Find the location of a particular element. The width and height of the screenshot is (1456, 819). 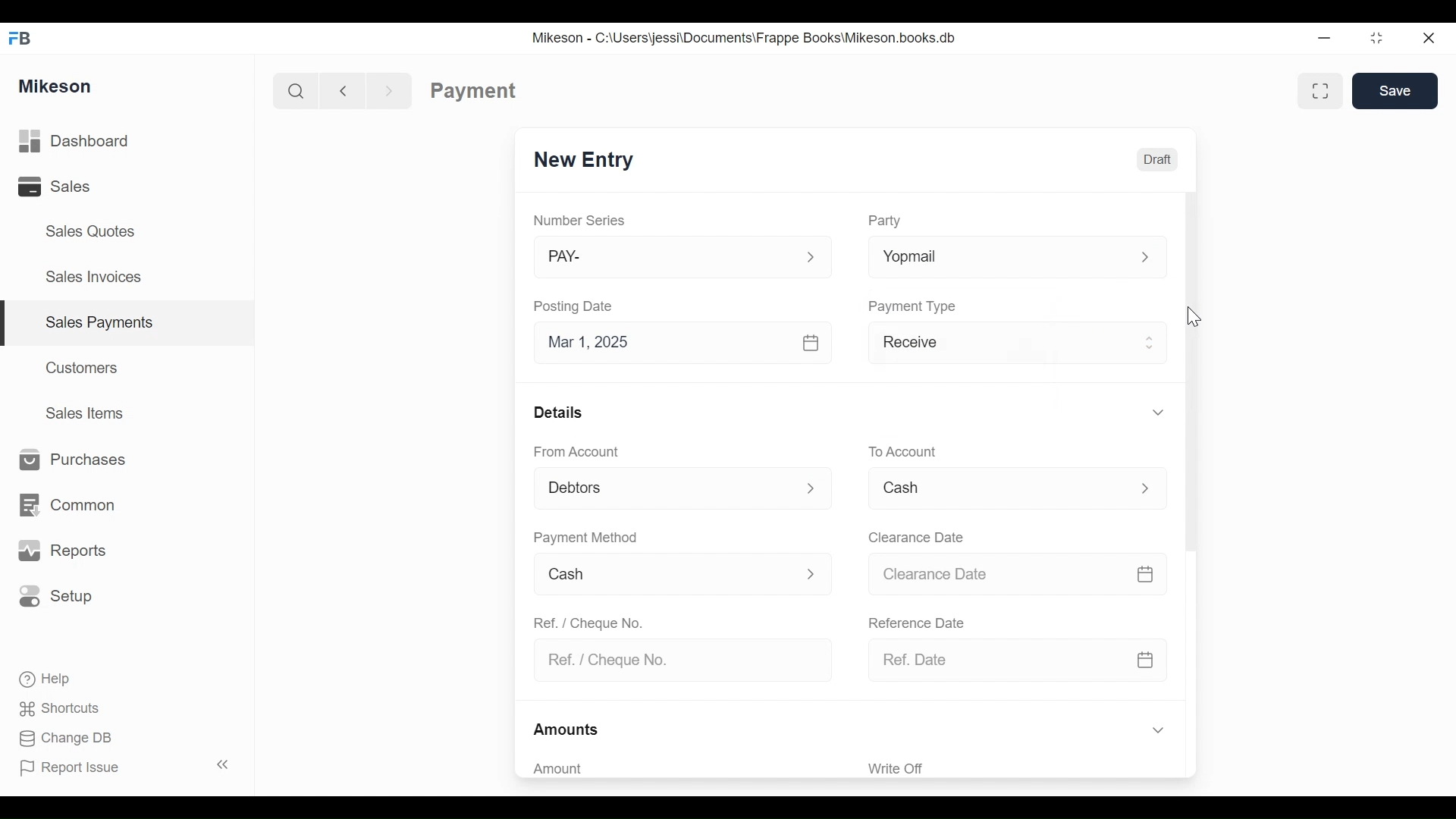

Sales Quotes is located at coordinates (83, 231).